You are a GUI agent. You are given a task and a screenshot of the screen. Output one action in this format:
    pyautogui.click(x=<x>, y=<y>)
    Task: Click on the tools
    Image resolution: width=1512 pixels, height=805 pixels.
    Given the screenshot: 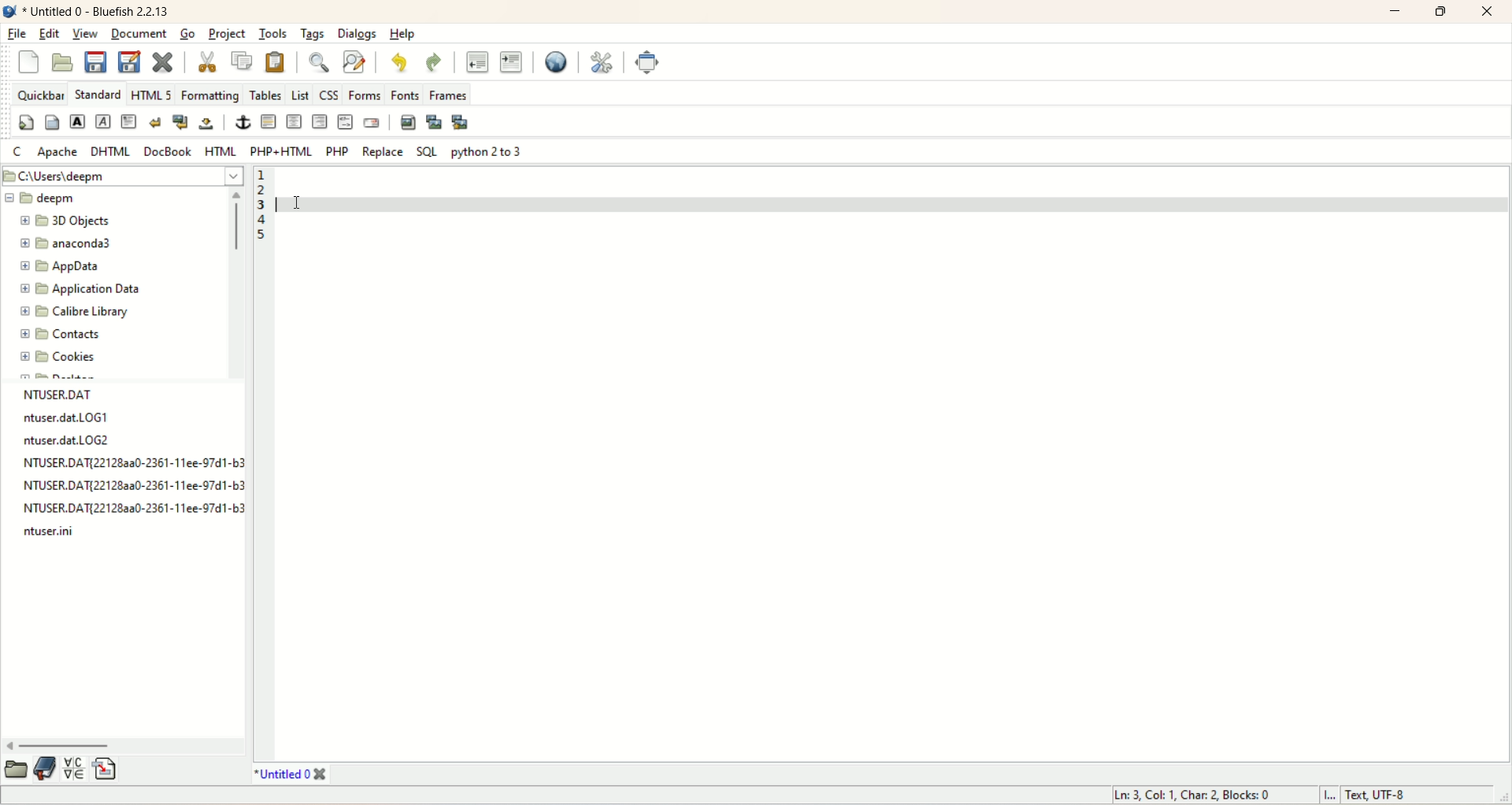 What is the action you would take?
    pyautogui.click(x=276, y=34)
    